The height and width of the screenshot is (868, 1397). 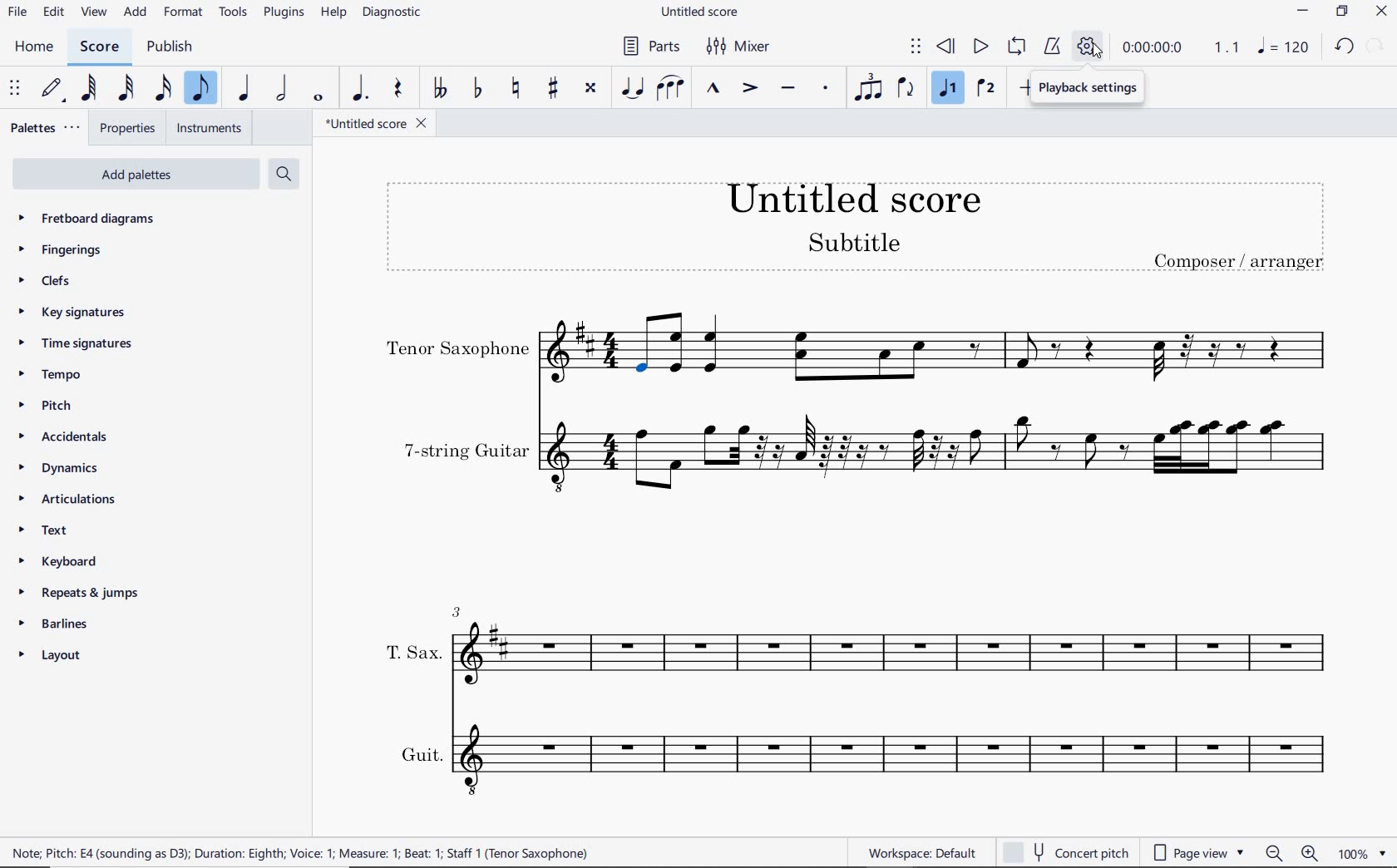 I want to click on DIAGNOSTIC, so click(x=394, y=12).